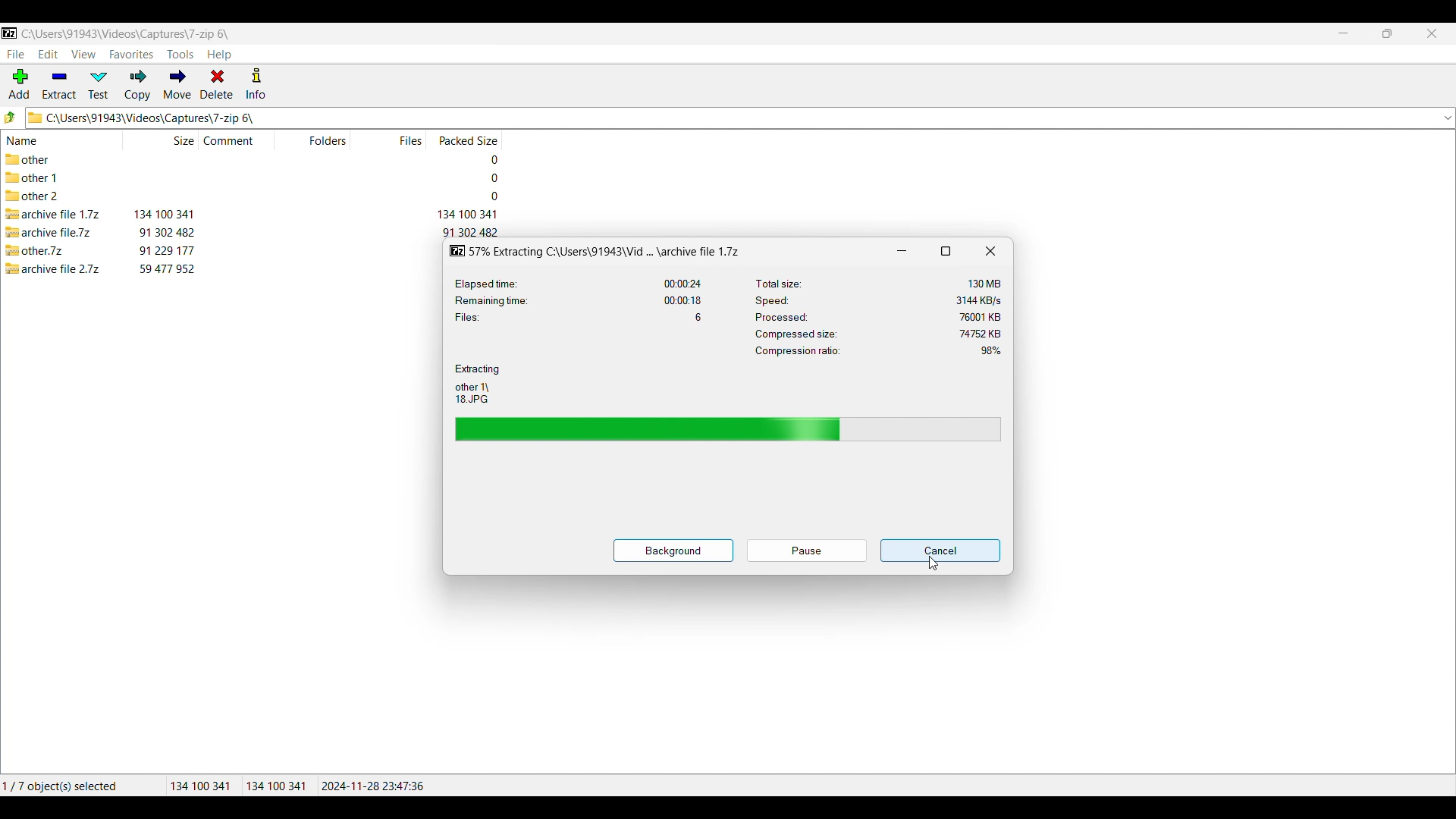 The image size is (1456, 819). What do you see at coordinates (878, 351) in the screenshot?
I see `Compression ratio: 98%` at bounding box center [878, 351].